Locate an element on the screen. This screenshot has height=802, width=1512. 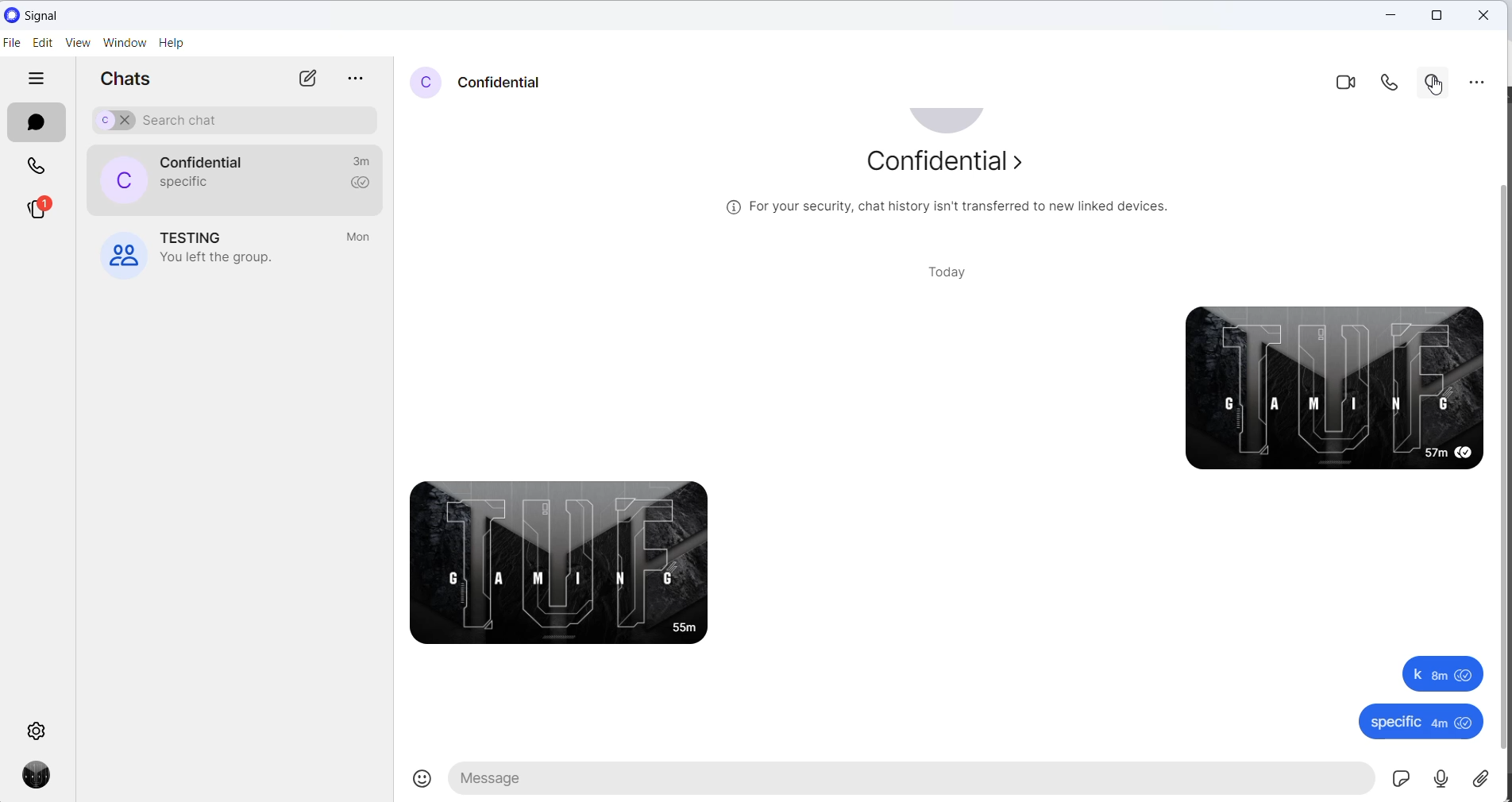
more options is located at coordinates (1478, 81).